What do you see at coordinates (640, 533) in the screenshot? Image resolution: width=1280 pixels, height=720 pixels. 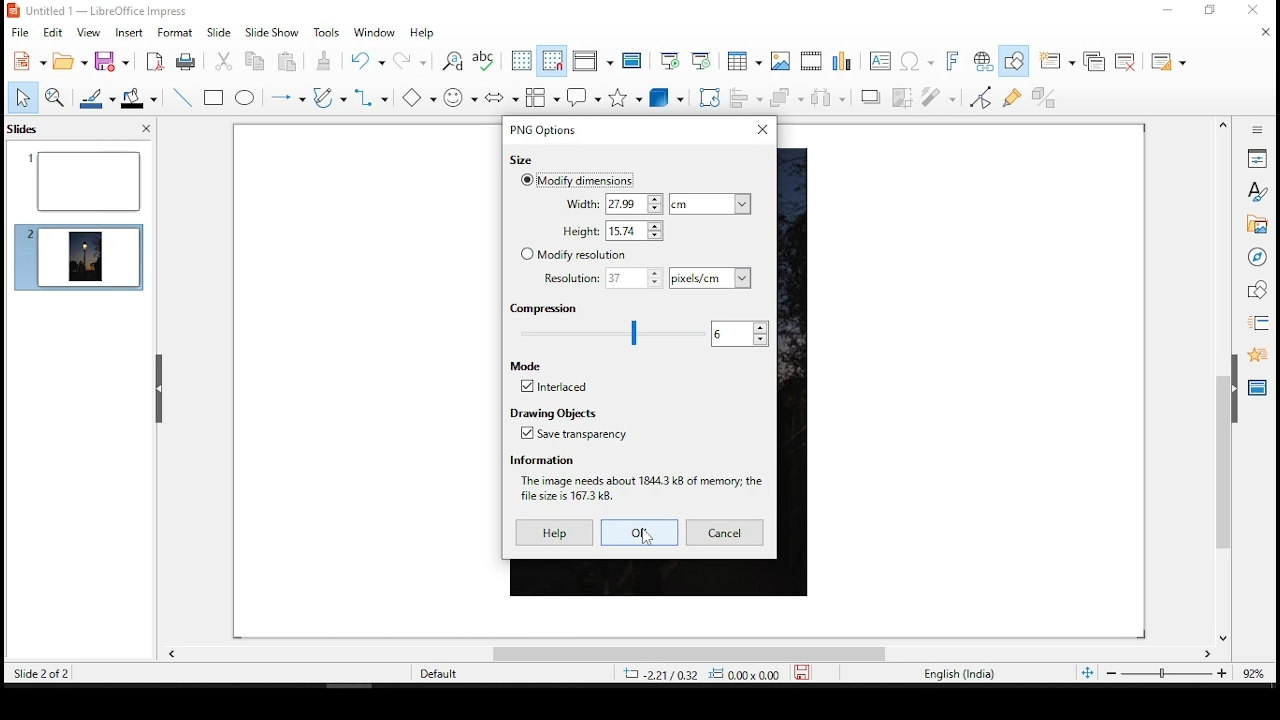 I see `ok` at bounding box center [640, 533].